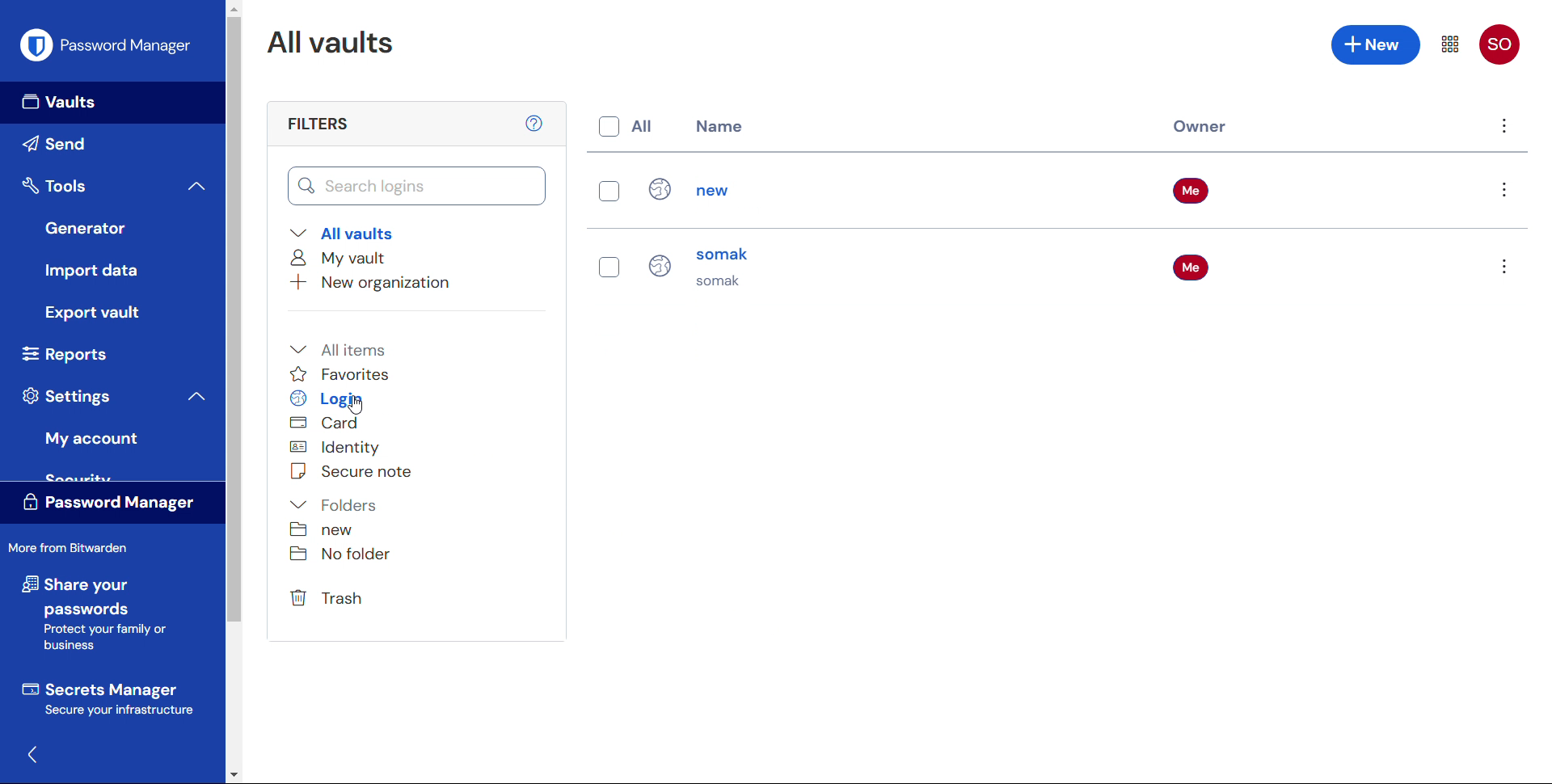  I want to click on Options , so click(1503, 189).